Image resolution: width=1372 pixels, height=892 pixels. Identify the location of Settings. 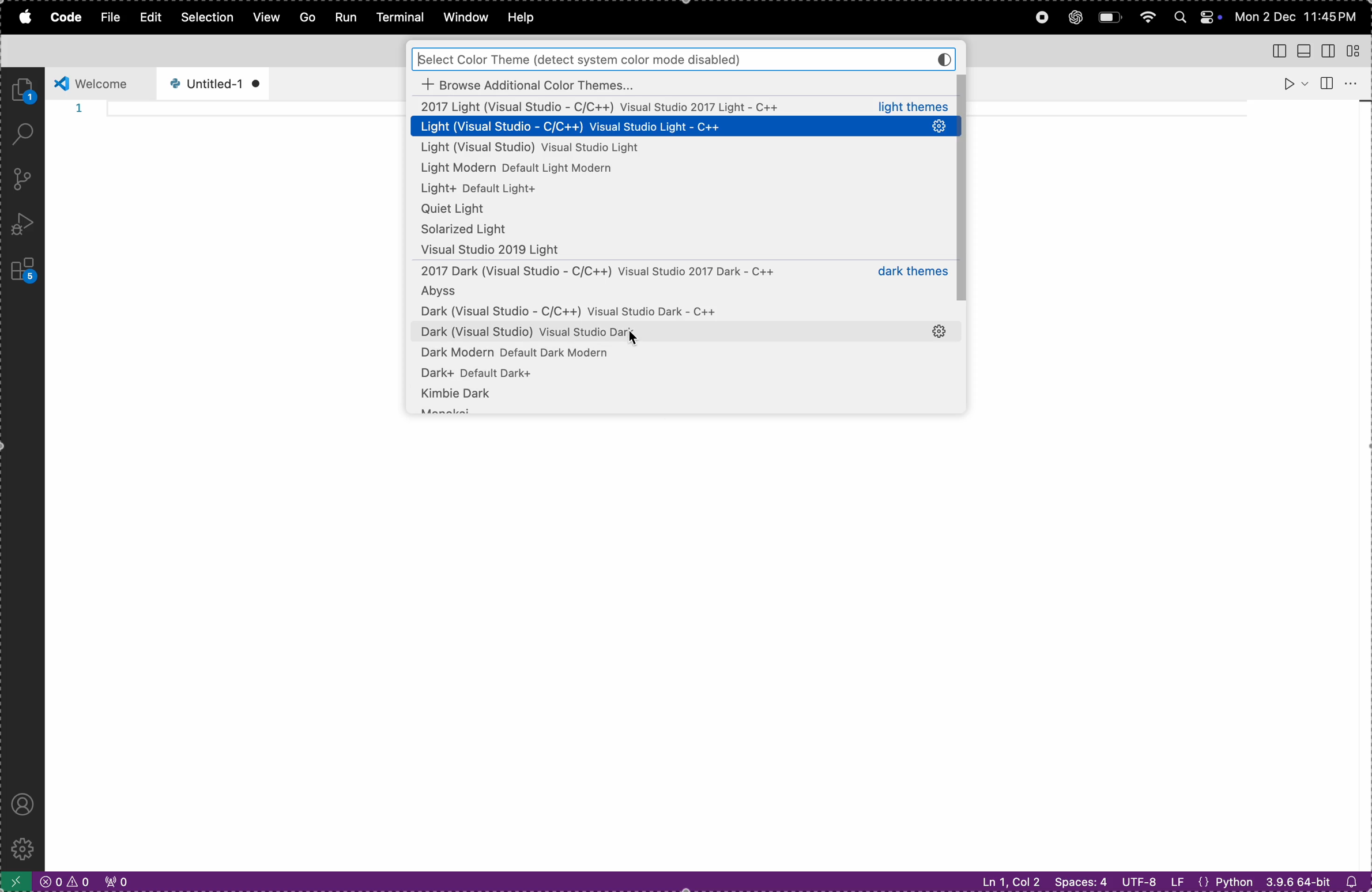
(21, 849).